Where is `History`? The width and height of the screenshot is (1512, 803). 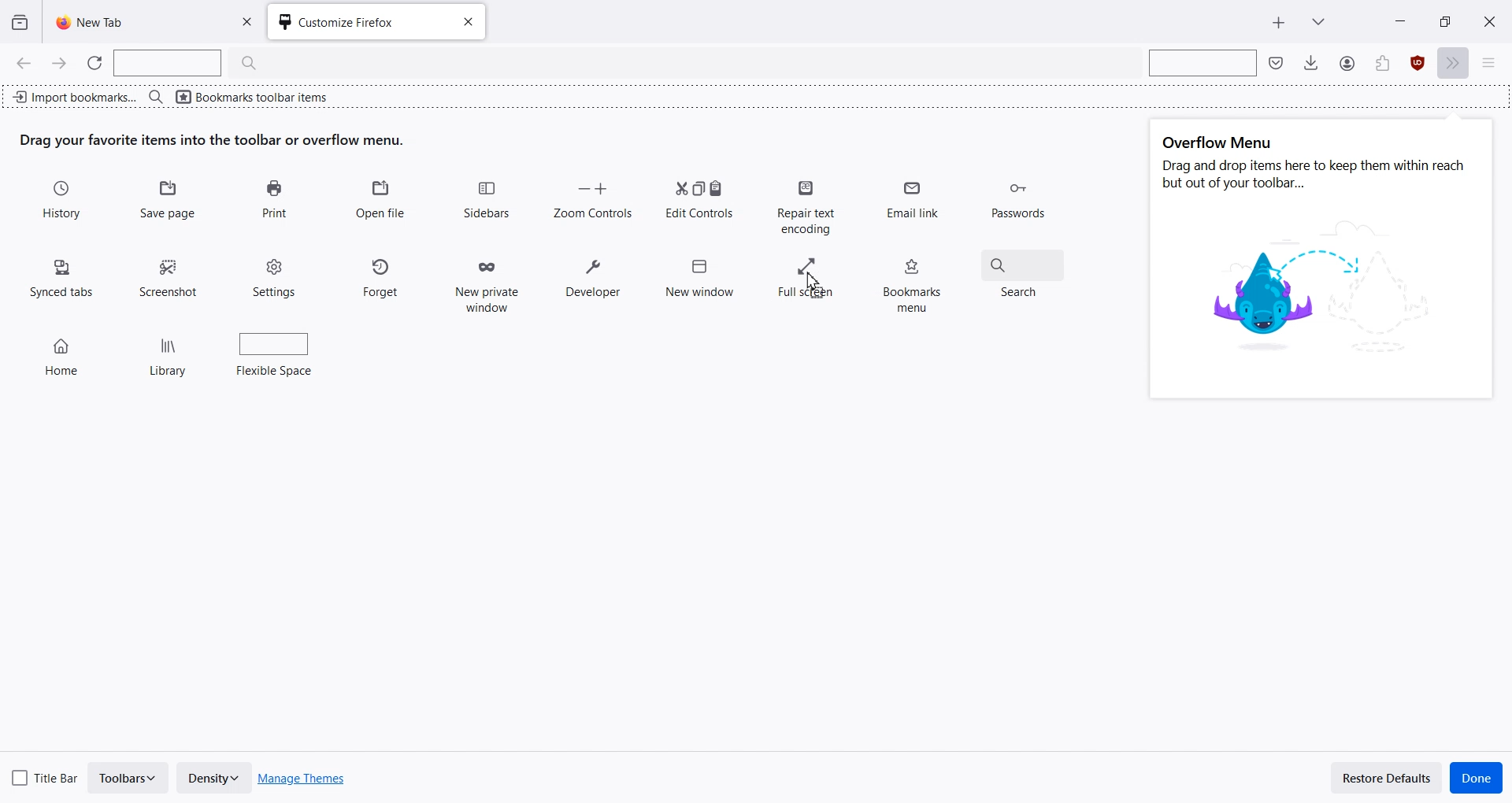 History is located at coordinates (64, 201).